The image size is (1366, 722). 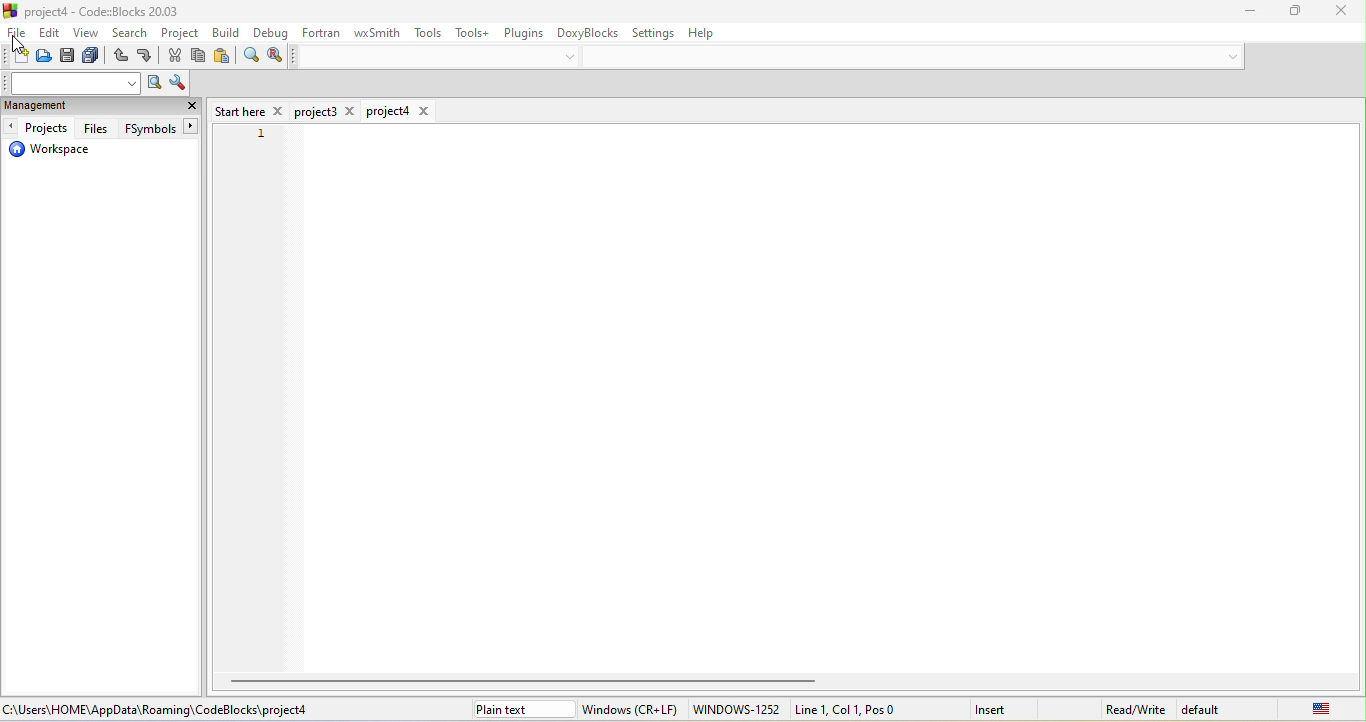 I want to click on redo, so click(x=147, y=58).